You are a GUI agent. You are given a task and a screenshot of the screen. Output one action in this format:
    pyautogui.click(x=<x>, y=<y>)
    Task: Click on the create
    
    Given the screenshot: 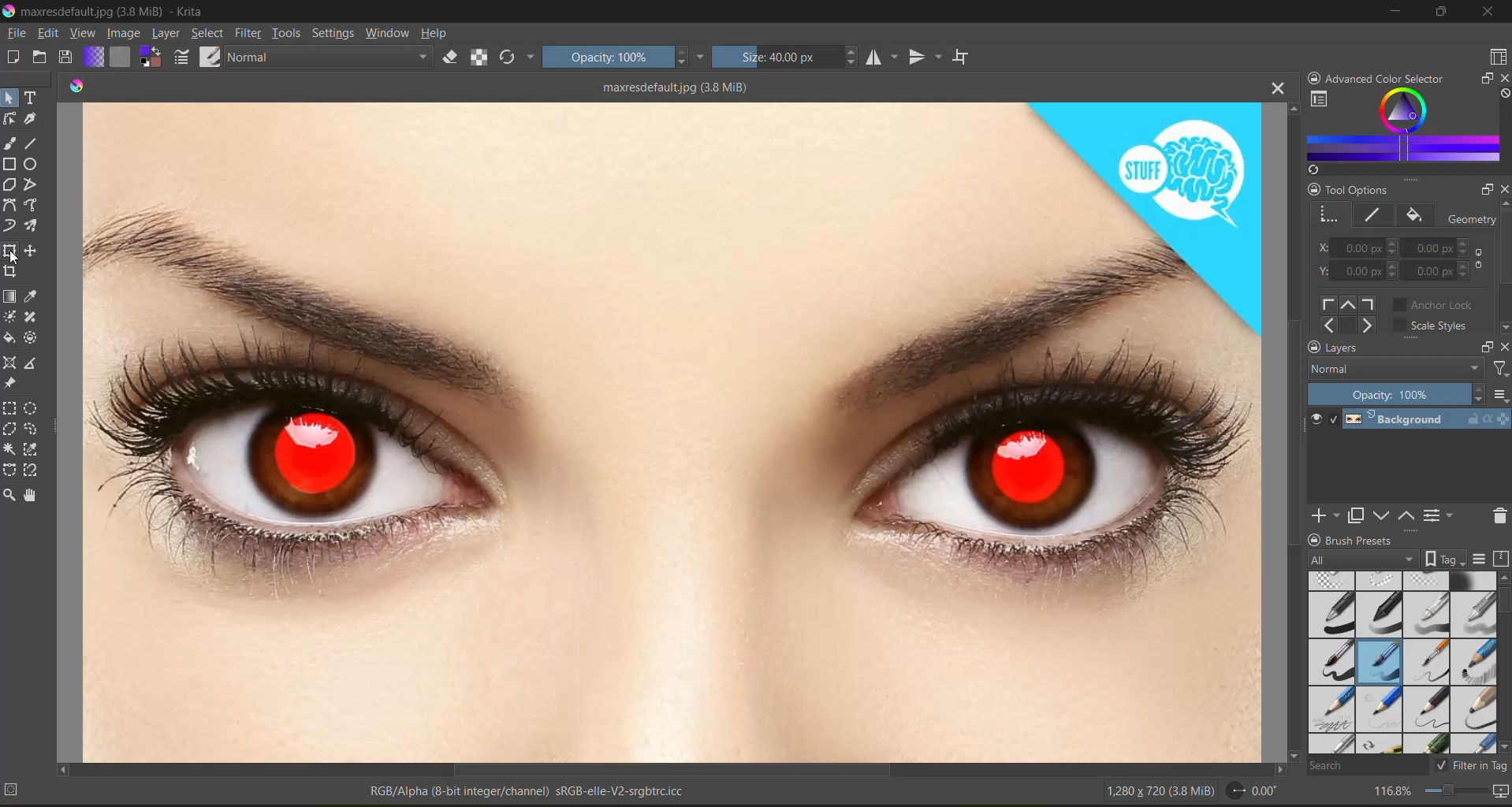 What is the action you would take?
    pyautogui.click(x=14, y=58)
    